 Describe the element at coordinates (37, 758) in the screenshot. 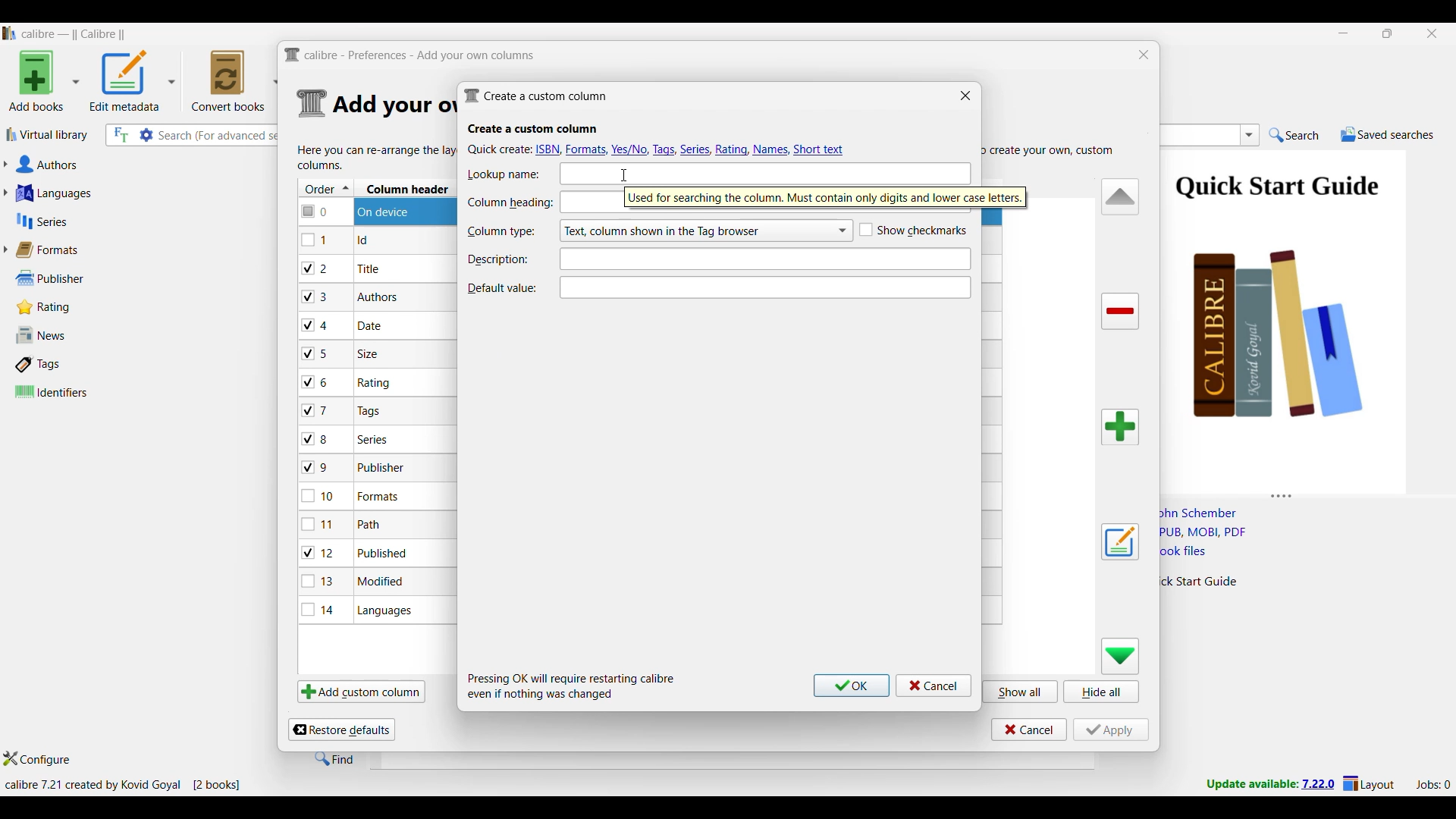

I see `Configure` at that location.